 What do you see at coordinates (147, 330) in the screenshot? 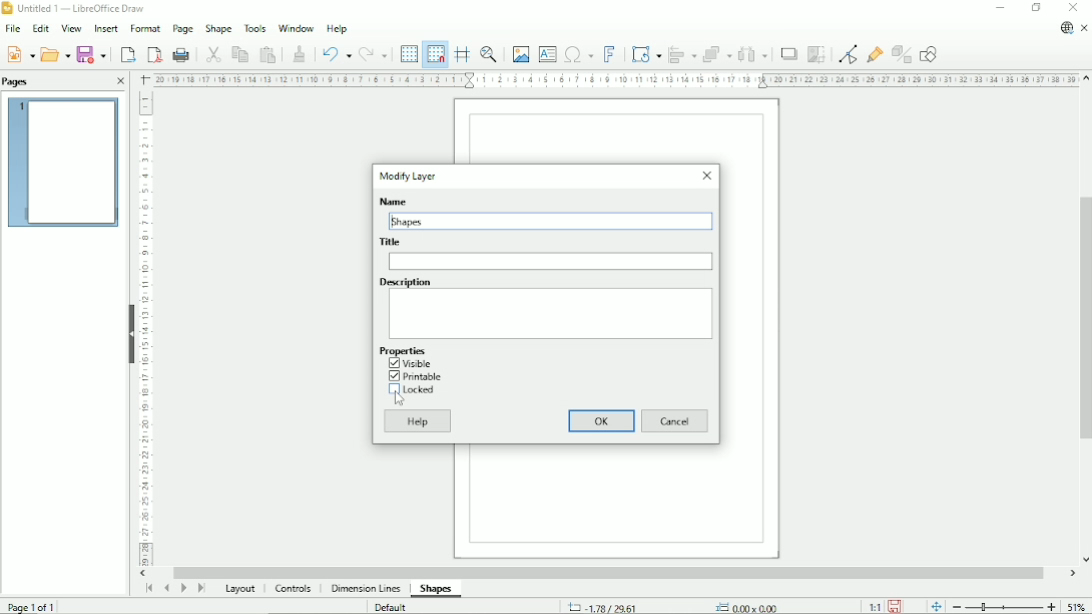
I see `Vertical scale` at bounding box center [147, 330].